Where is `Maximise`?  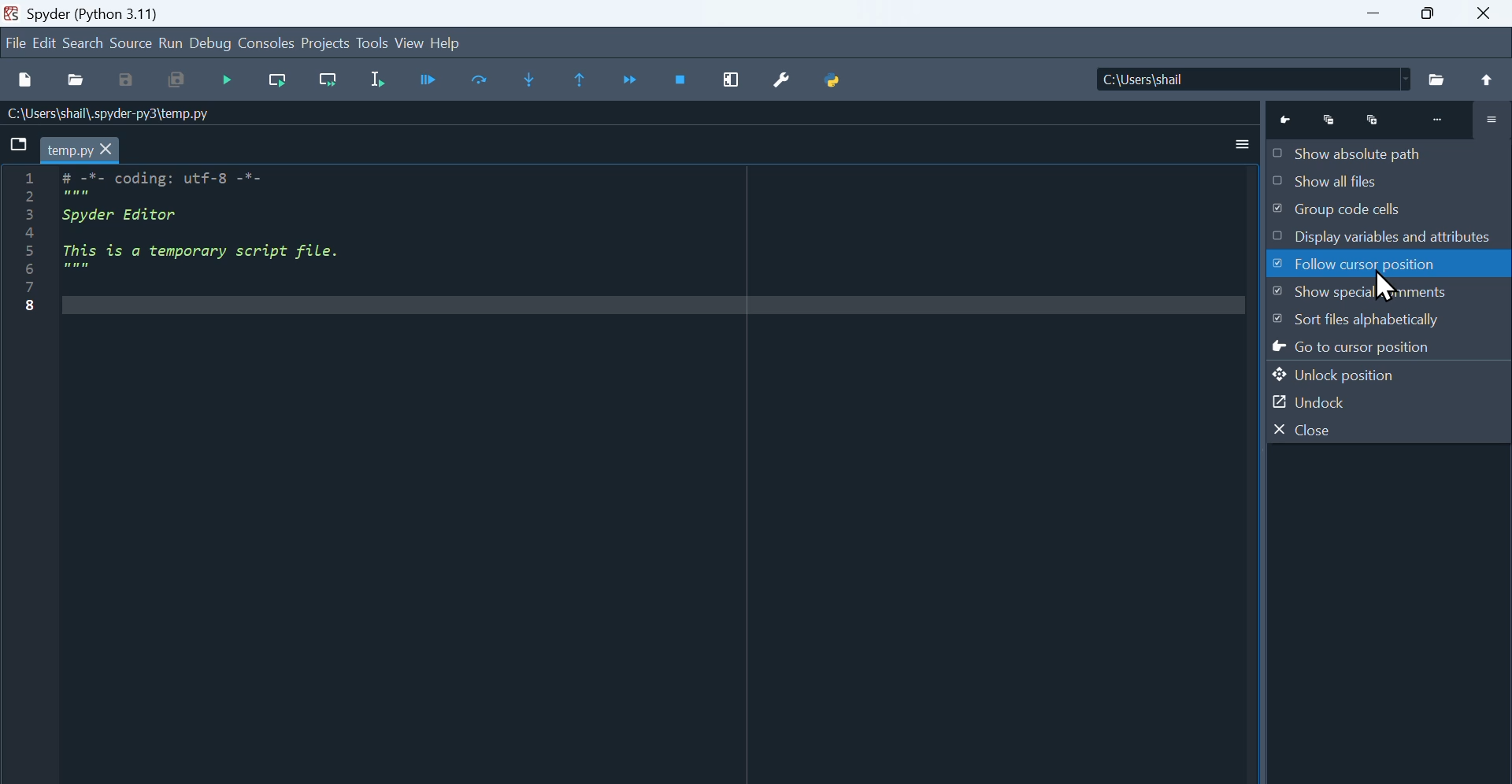 Maximise is located at coordinates (1431, 17).